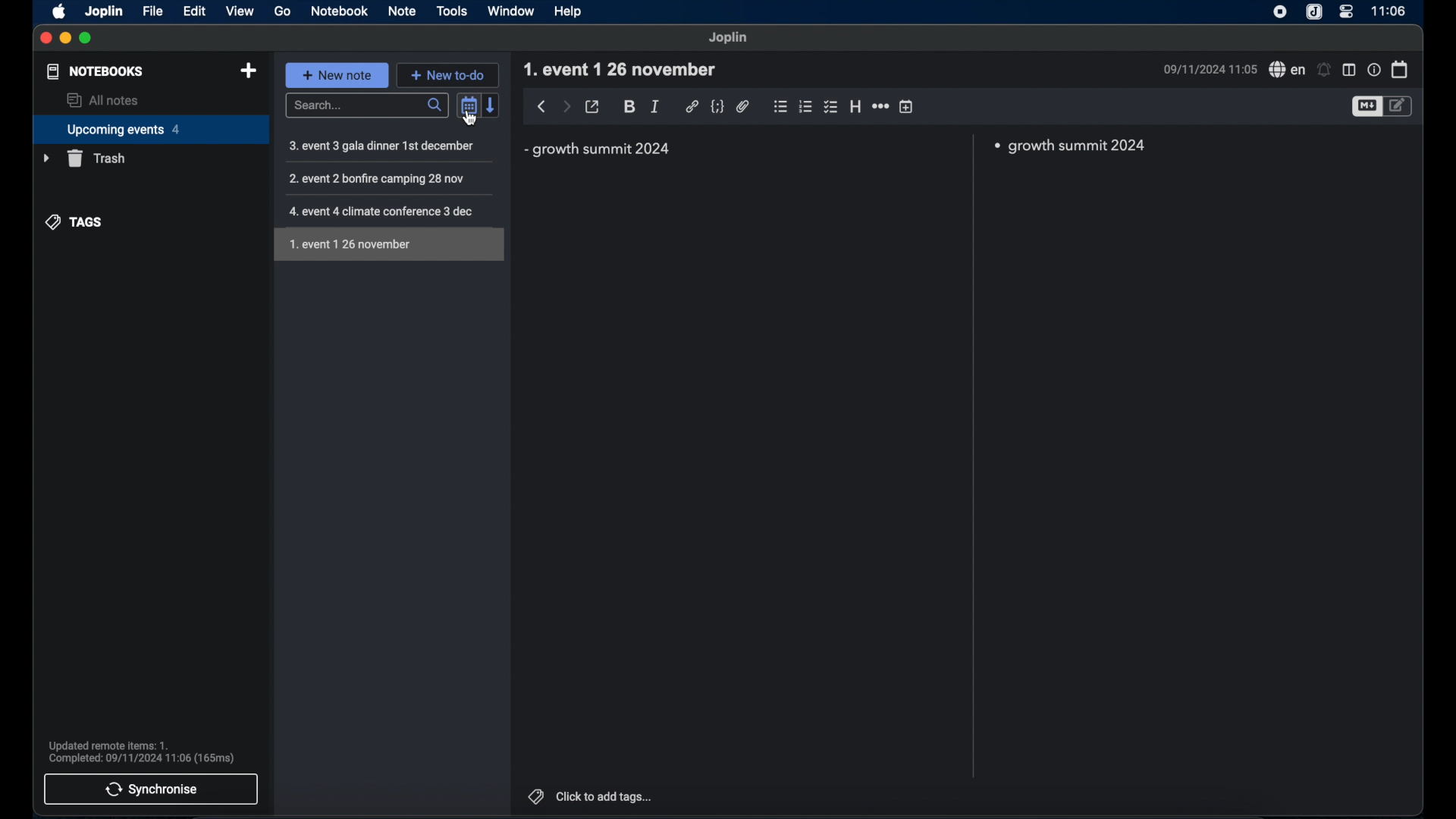 Image resolution: width=1456 pixels, height=819 pixels. What do you see at coordinates (728, 38) in the screenshot?
I see `Joplin` at bounding box center [728, 38].